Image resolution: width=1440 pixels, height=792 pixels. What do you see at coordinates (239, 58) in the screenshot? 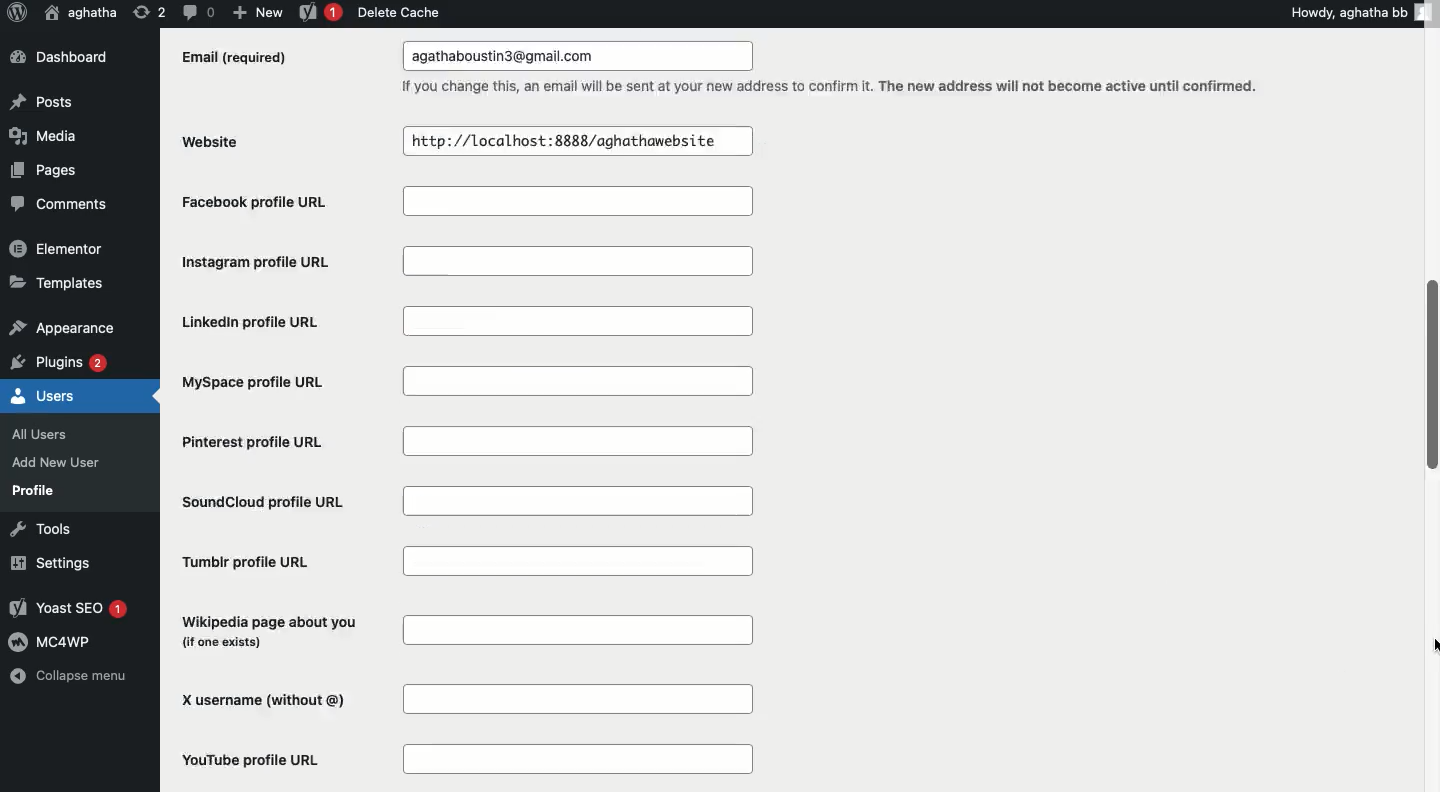
I see `Email (required)` at bounding box center [239, 58].